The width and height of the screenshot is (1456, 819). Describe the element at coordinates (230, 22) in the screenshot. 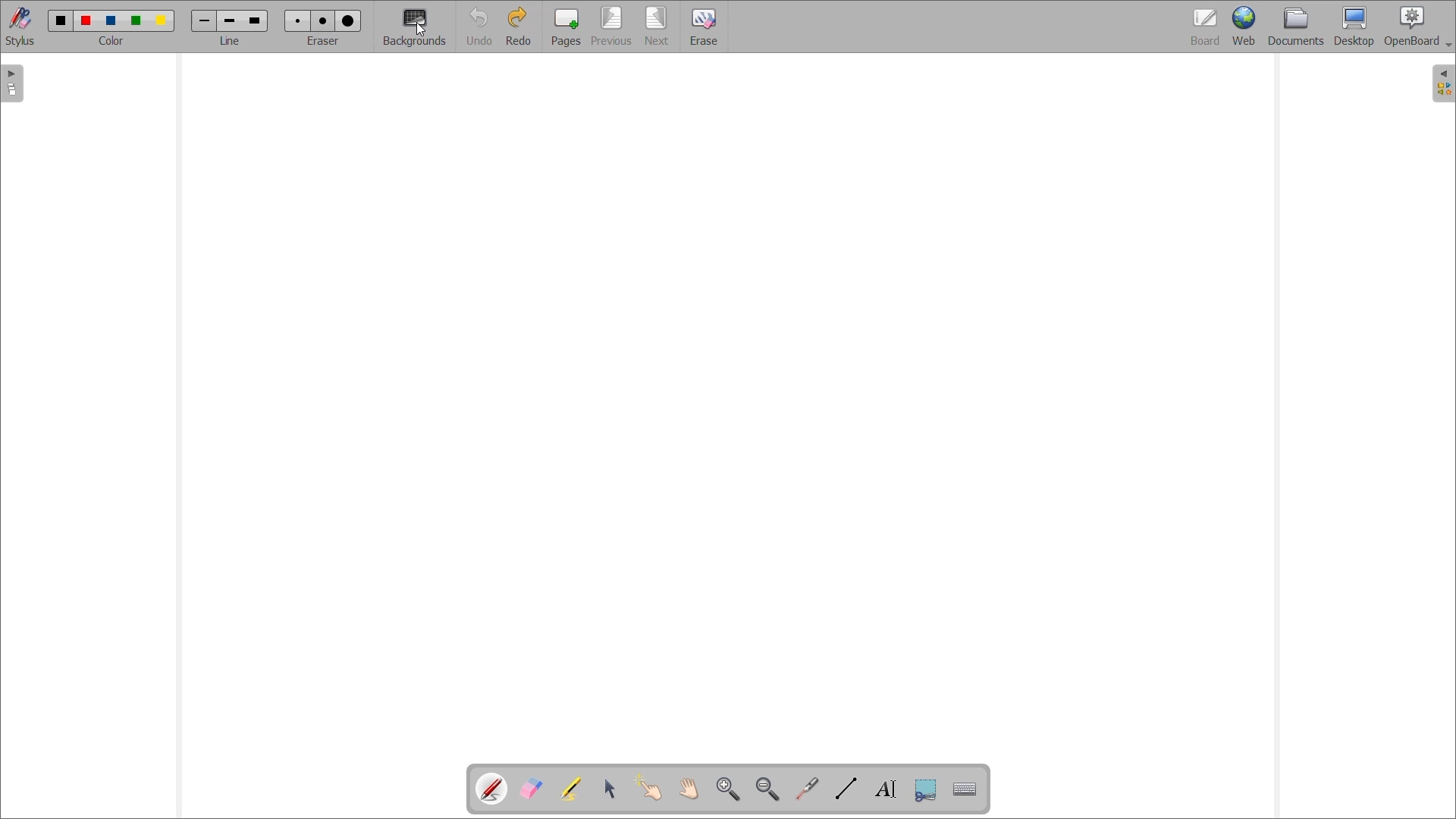

I see `Line thickness options to draw line` at that location.